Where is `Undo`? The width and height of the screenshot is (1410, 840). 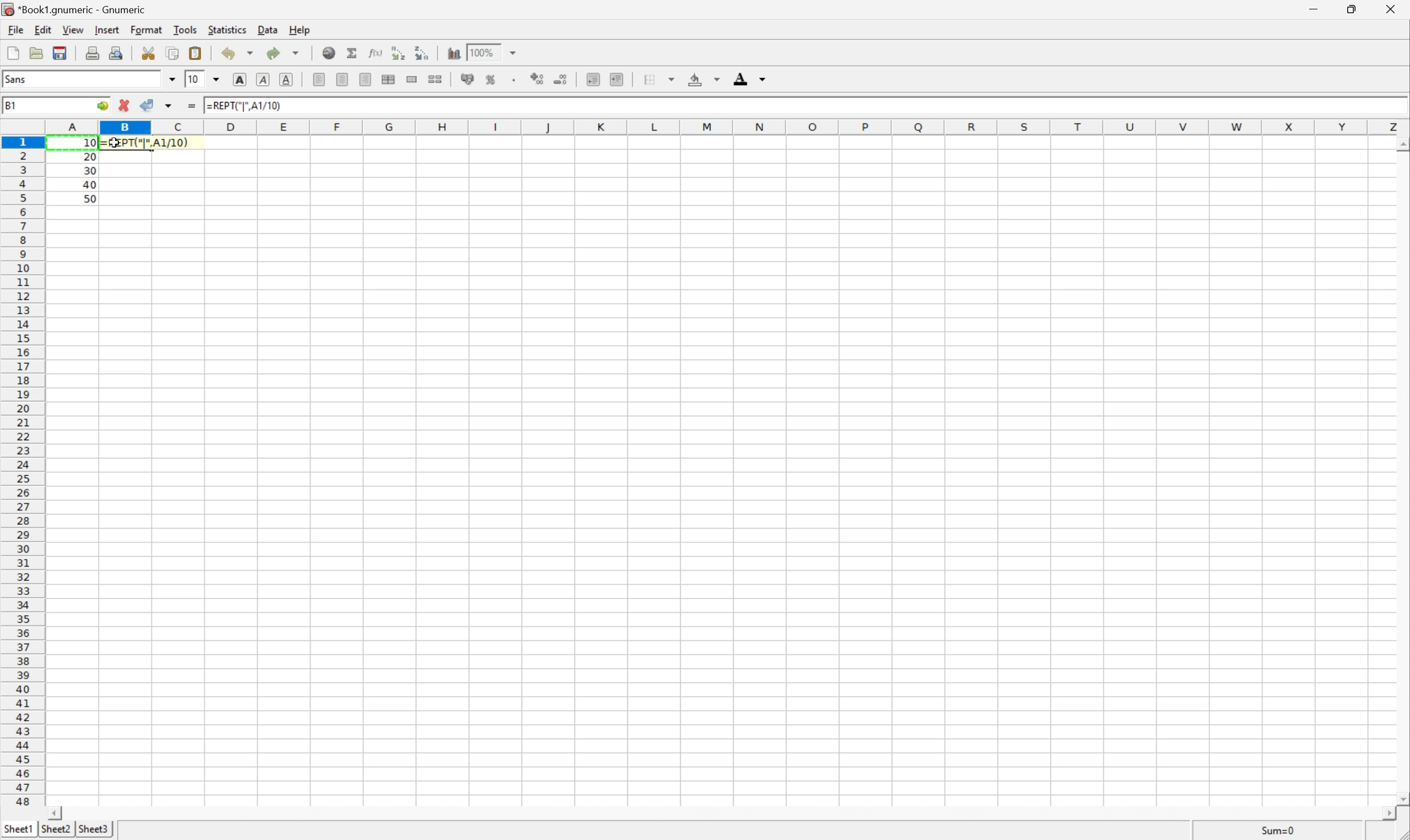
Undo is located at coordinates (237, 52).